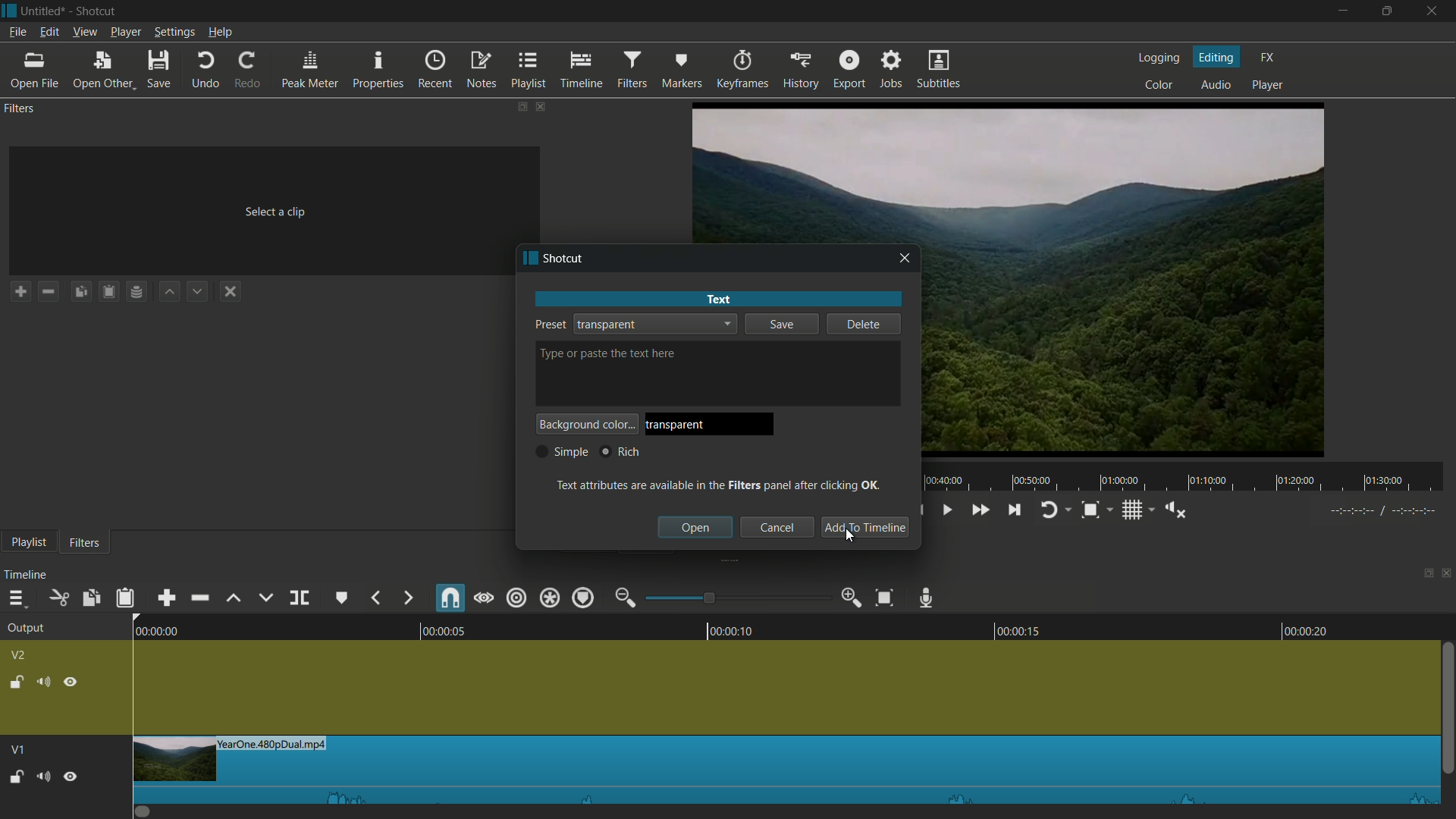 The width and height of the screenshot is (1456, 819). Describe the element at coordinates (15, 598) in the screenshot. I see `timeline menu` at that location.